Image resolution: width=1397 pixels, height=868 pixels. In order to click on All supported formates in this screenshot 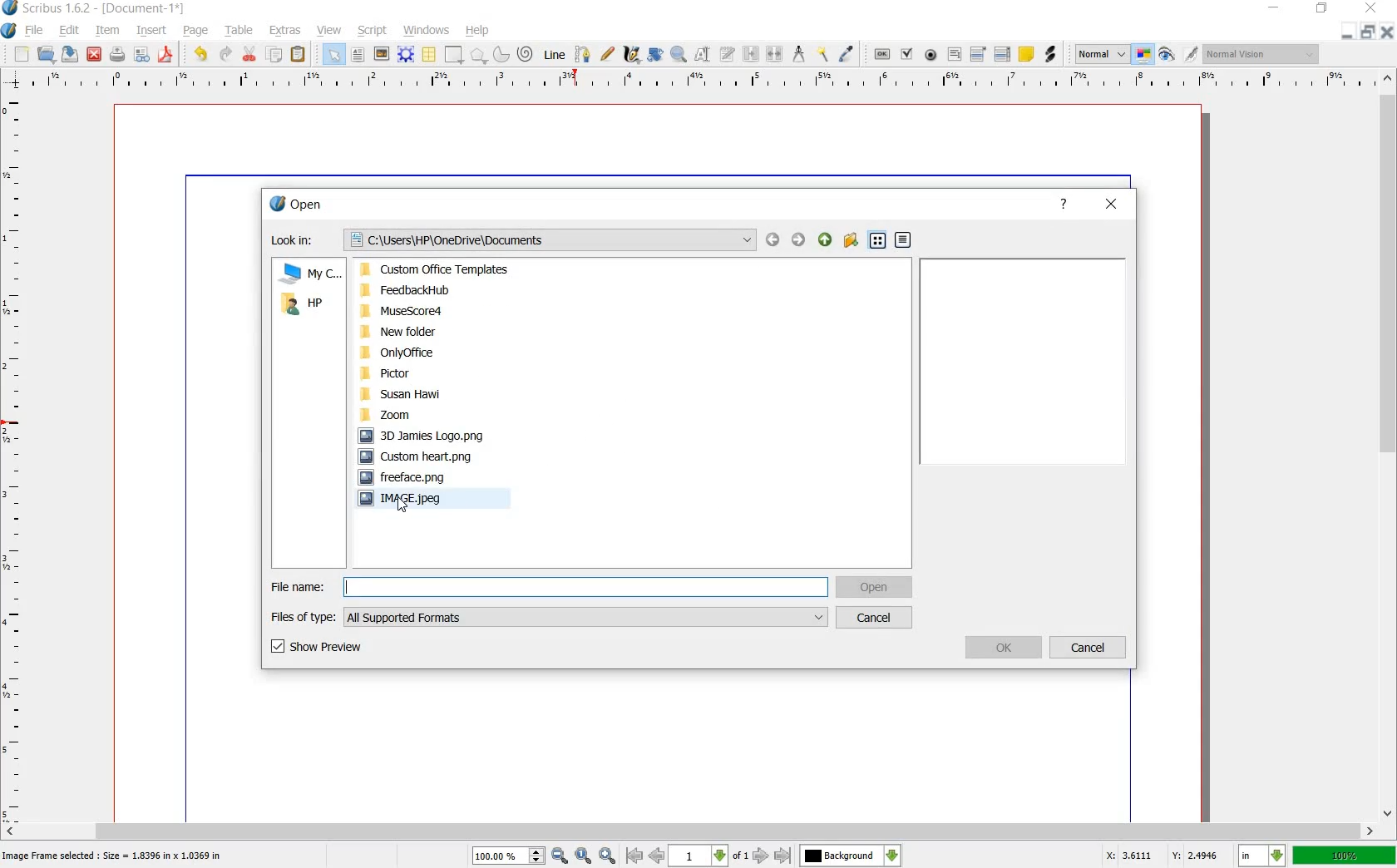, I will do `click(562, 619)`.